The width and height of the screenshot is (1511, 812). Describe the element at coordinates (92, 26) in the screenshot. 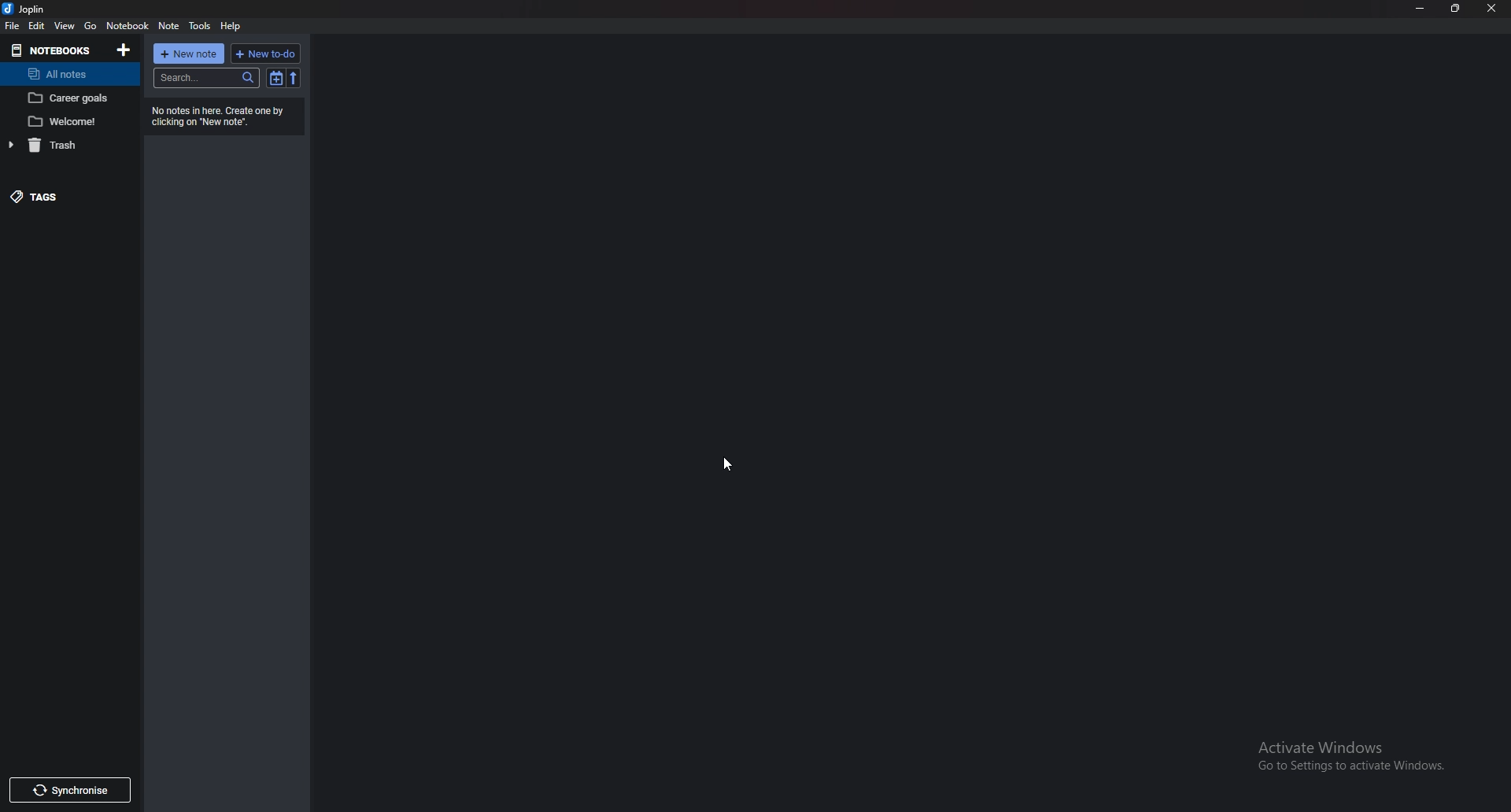

I see `go` at that location.